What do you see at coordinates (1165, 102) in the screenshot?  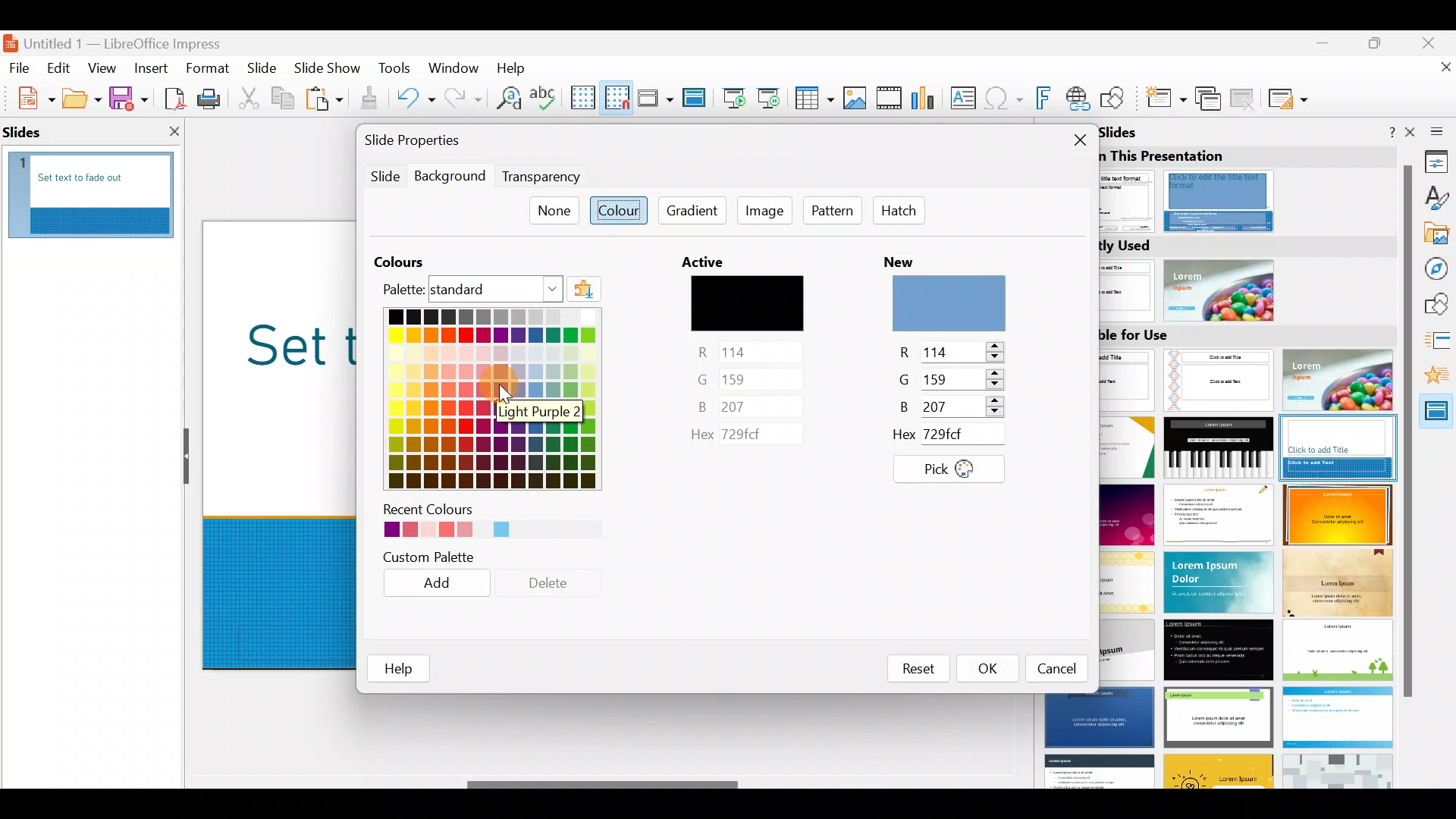 I see `New slide` at bounding box center [1165, 102].